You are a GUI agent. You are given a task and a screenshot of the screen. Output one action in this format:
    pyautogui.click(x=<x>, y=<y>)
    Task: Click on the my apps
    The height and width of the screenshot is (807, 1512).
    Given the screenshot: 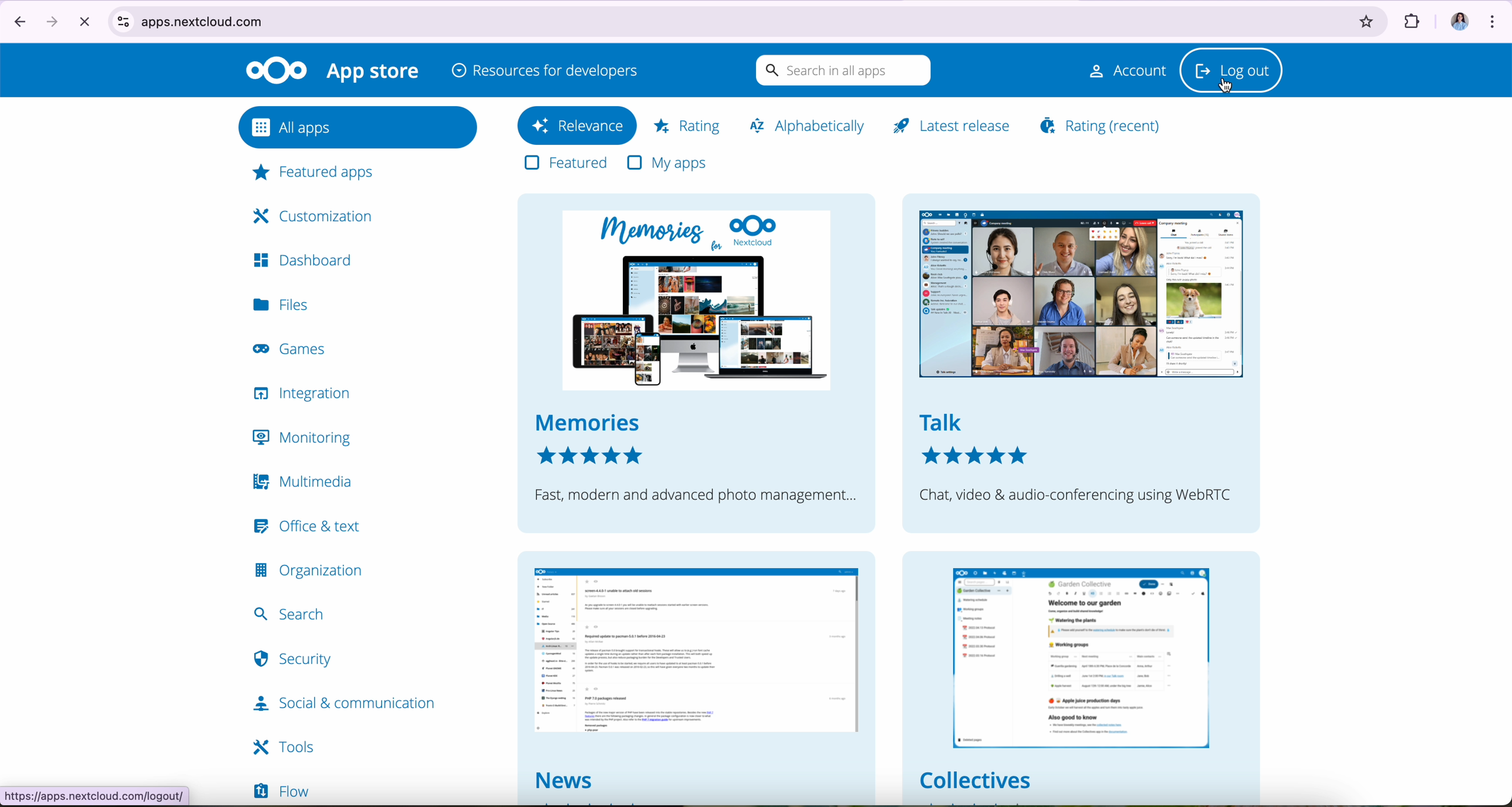 What is the action you would take?
    pyautogui.click(x=666, y=163)
    